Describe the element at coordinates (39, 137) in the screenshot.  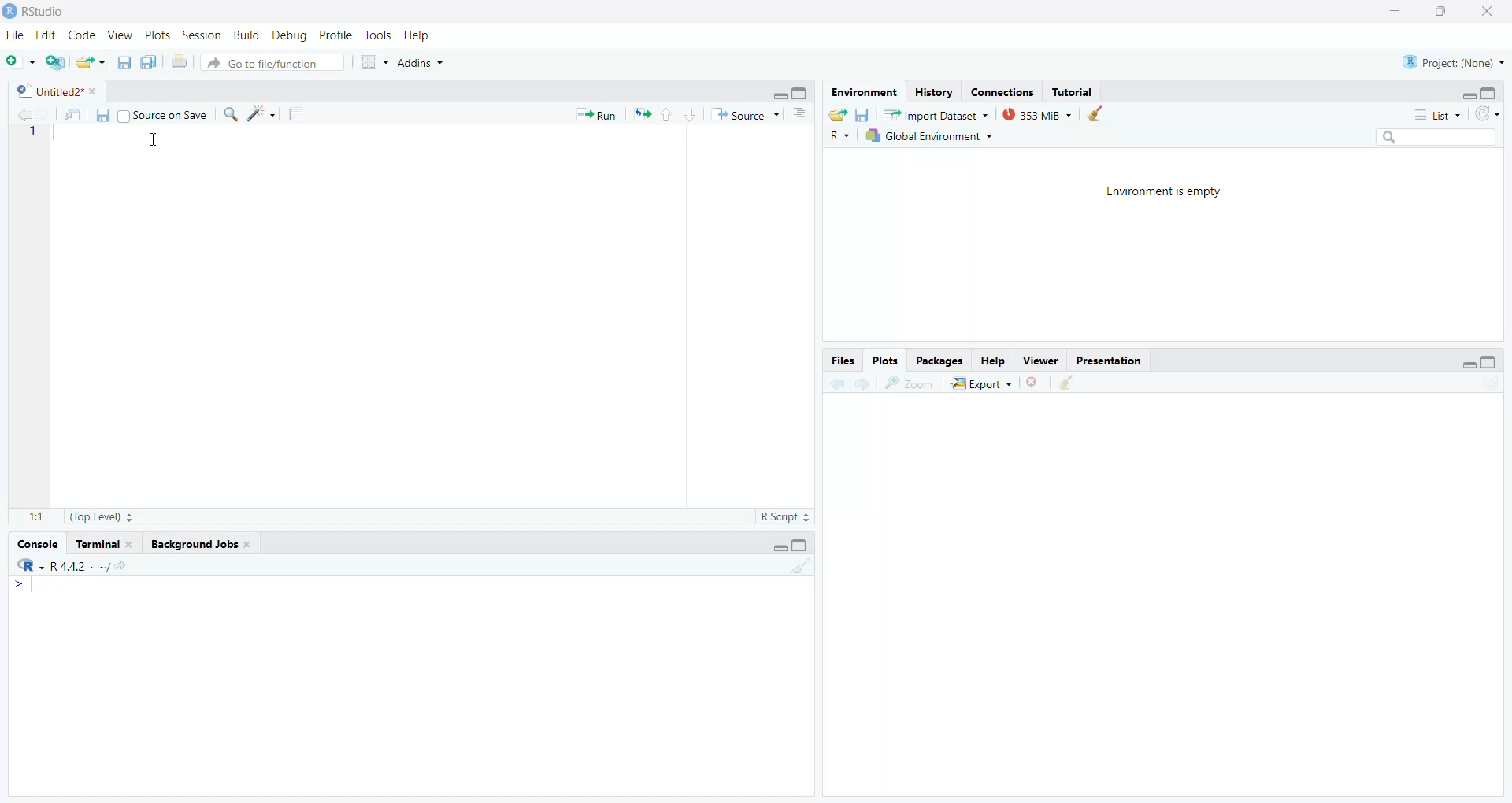
I see `1` at that location.